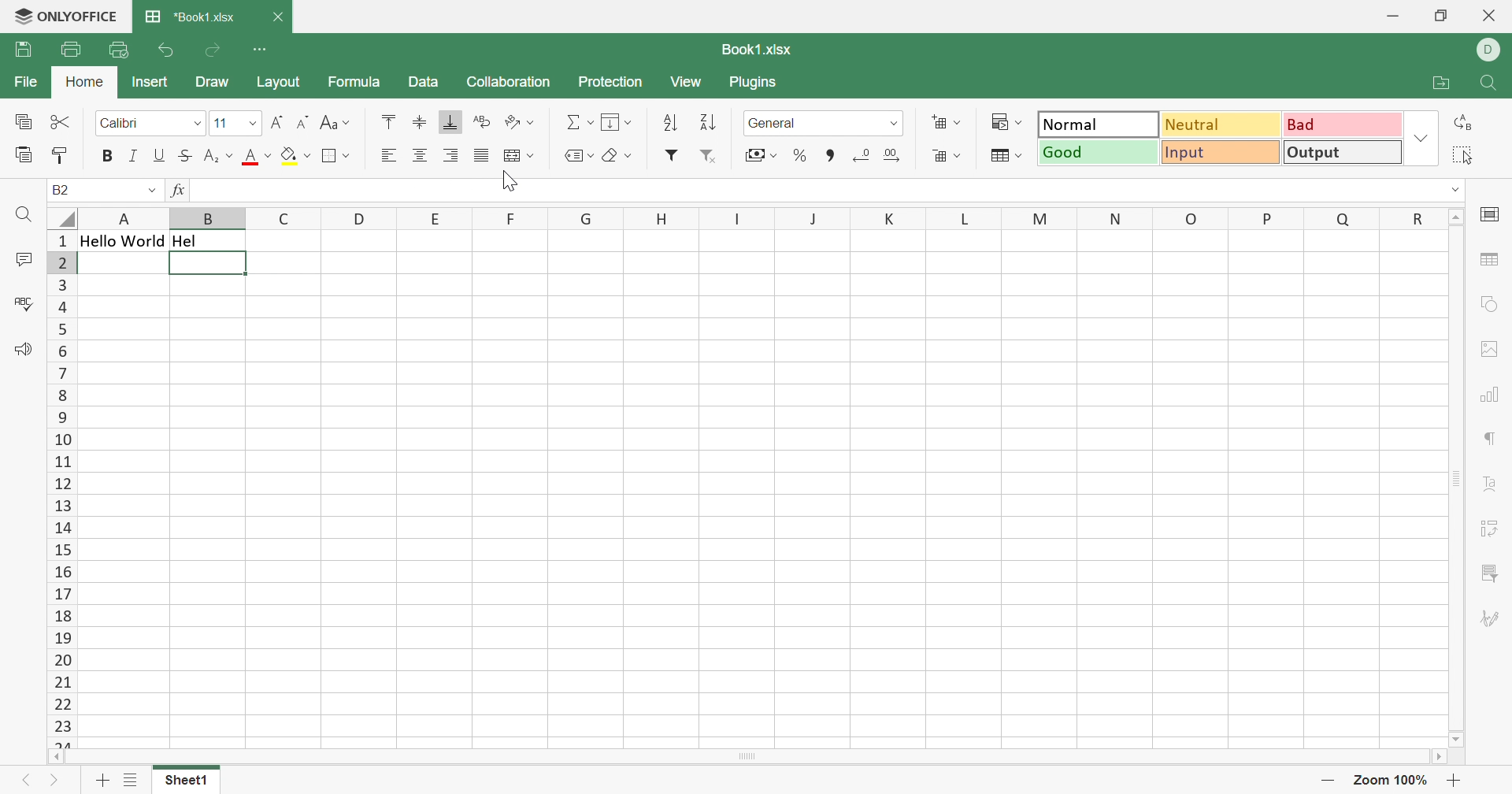 Image resolution: width=1512 pixels, height=794 pixels. What do you see at coordinates (1392, 17) in the screenshot?
I see `Minimize` at bounding box center [1392, 17].